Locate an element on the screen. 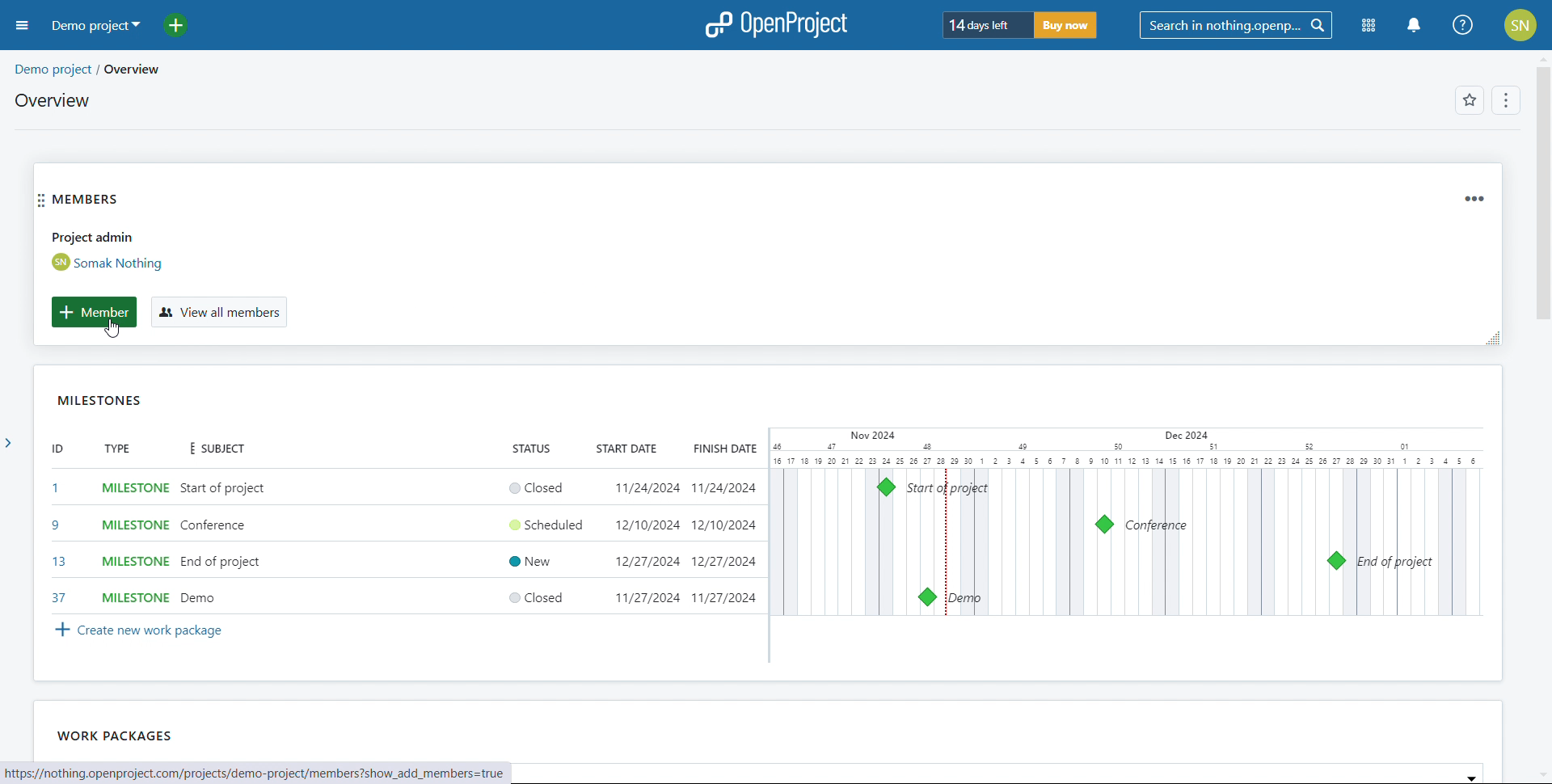 The height and width of the screenshot is (784, 1552). open sidebar menu is located at coordinates (22, 27).